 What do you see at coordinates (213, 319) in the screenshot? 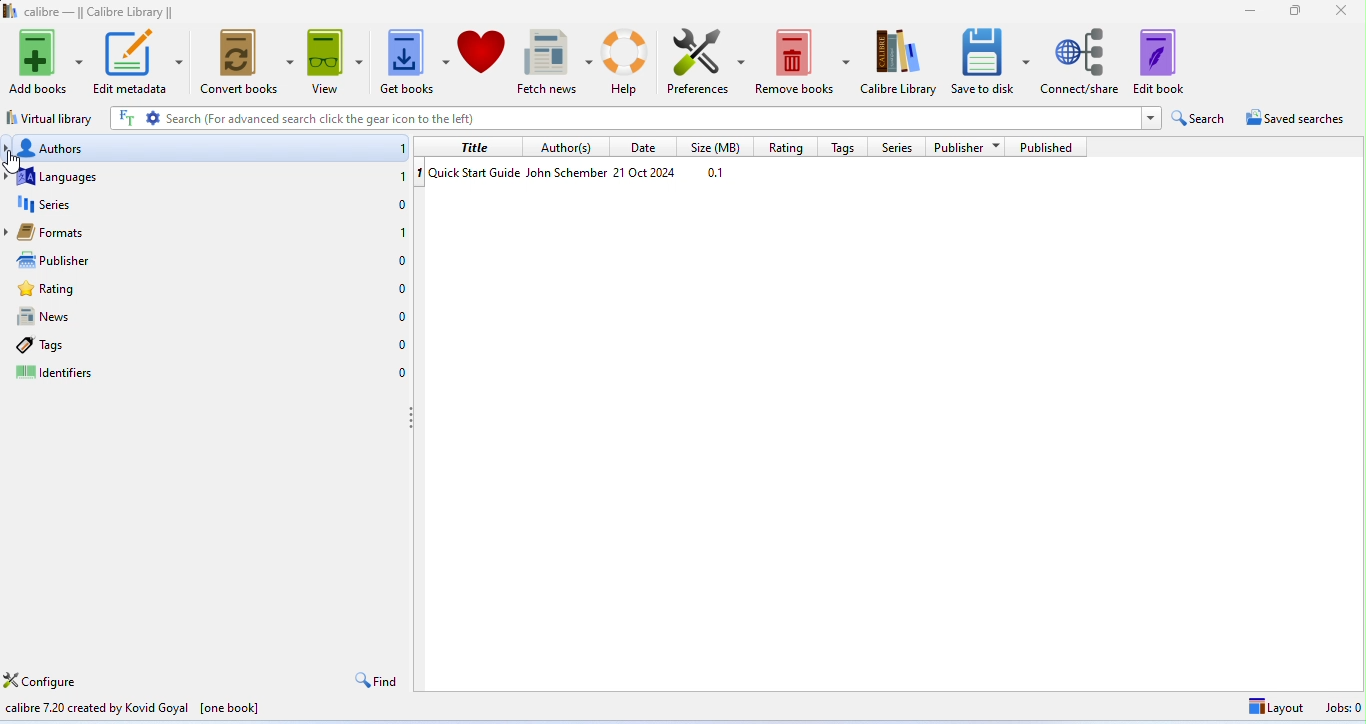
I see `news` at bounding box center [213, 319].